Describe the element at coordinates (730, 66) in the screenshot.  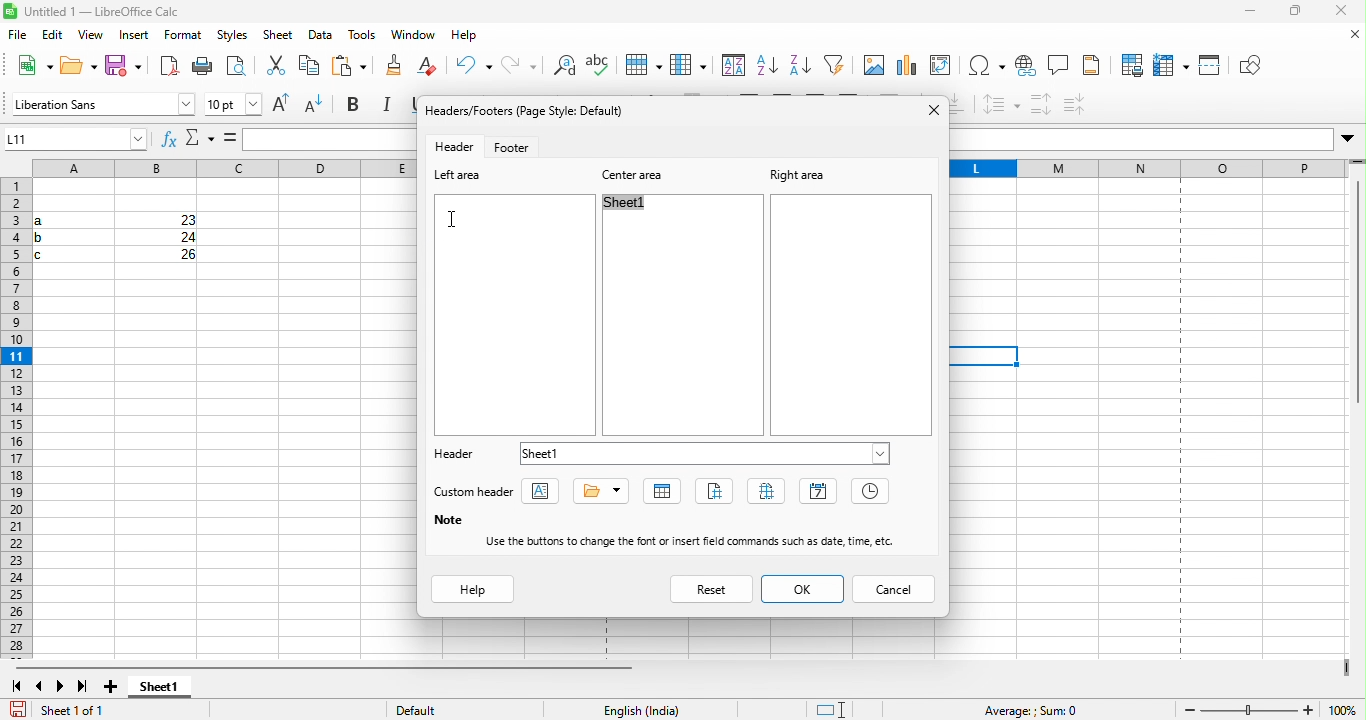
I see `sort ascending` at that location.